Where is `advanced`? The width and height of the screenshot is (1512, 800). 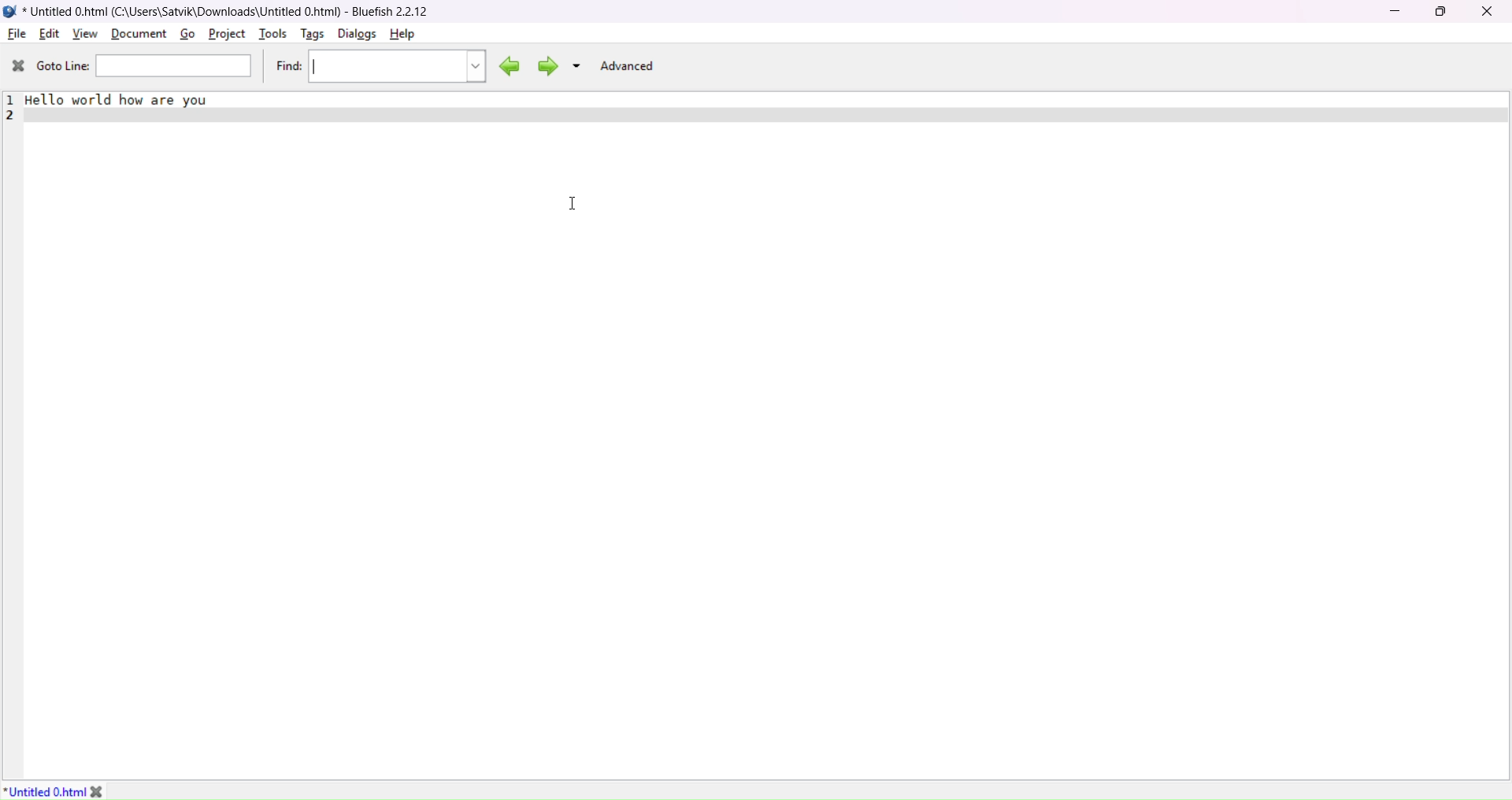 advanced is located at coordinates (629, 66).